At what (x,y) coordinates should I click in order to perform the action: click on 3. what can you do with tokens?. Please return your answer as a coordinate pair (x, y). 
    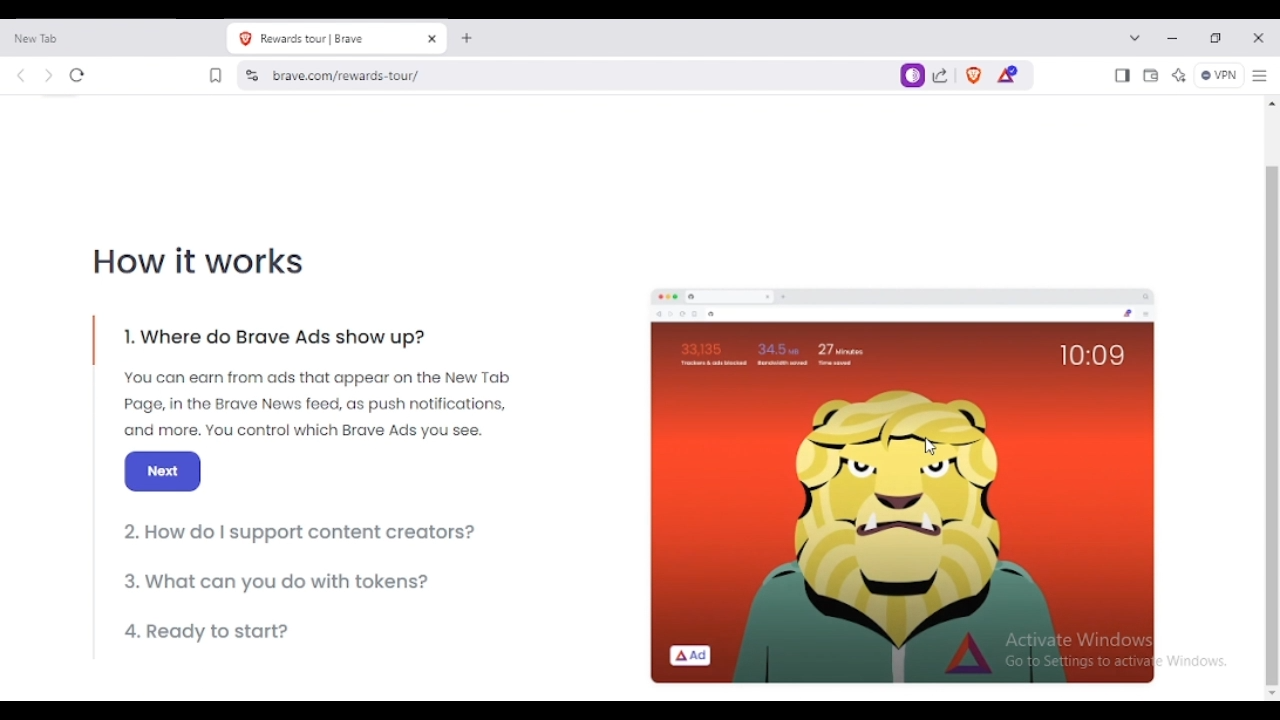
    Looking at the image, I should click on (280, 581).